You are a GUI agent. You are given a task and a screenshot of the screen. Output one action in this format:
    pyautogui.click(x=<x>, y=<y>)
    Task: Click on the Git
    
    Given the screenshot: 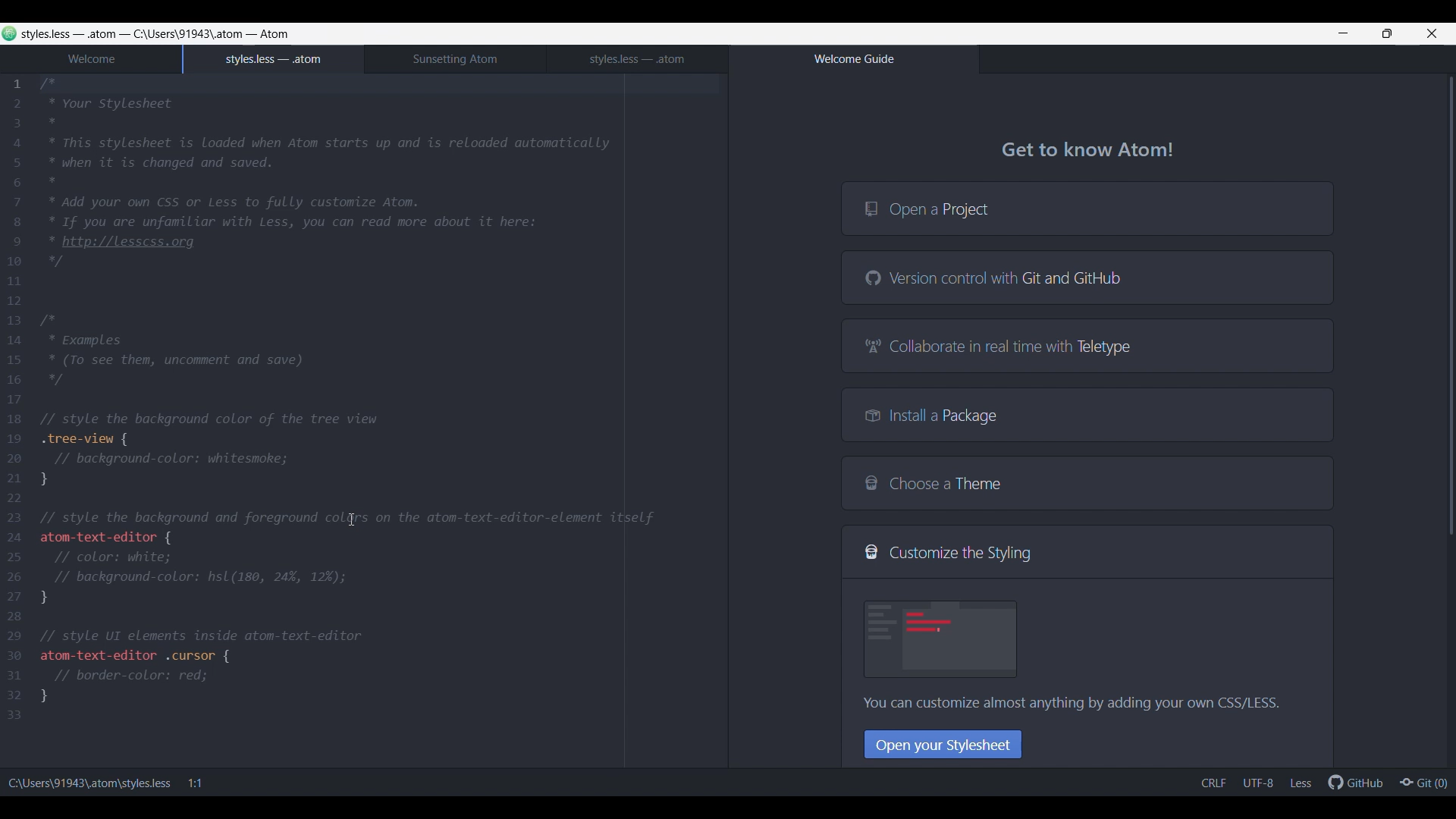 What is the action you would take?
    pyautogui.click(x=1423, y=781)
    